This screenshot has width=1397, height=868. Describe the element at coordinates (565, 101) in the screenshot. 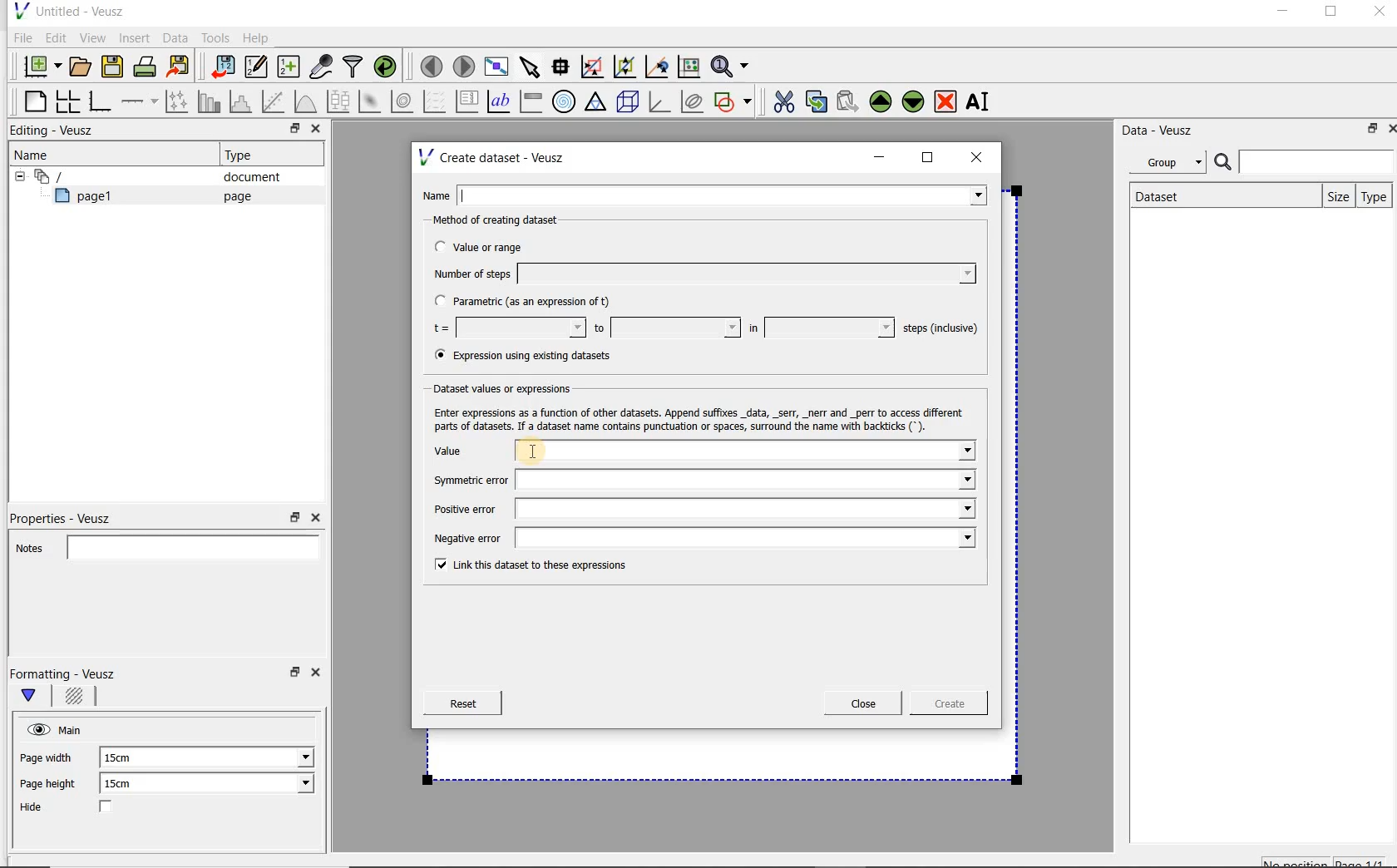

I see `polar graph` at that location.